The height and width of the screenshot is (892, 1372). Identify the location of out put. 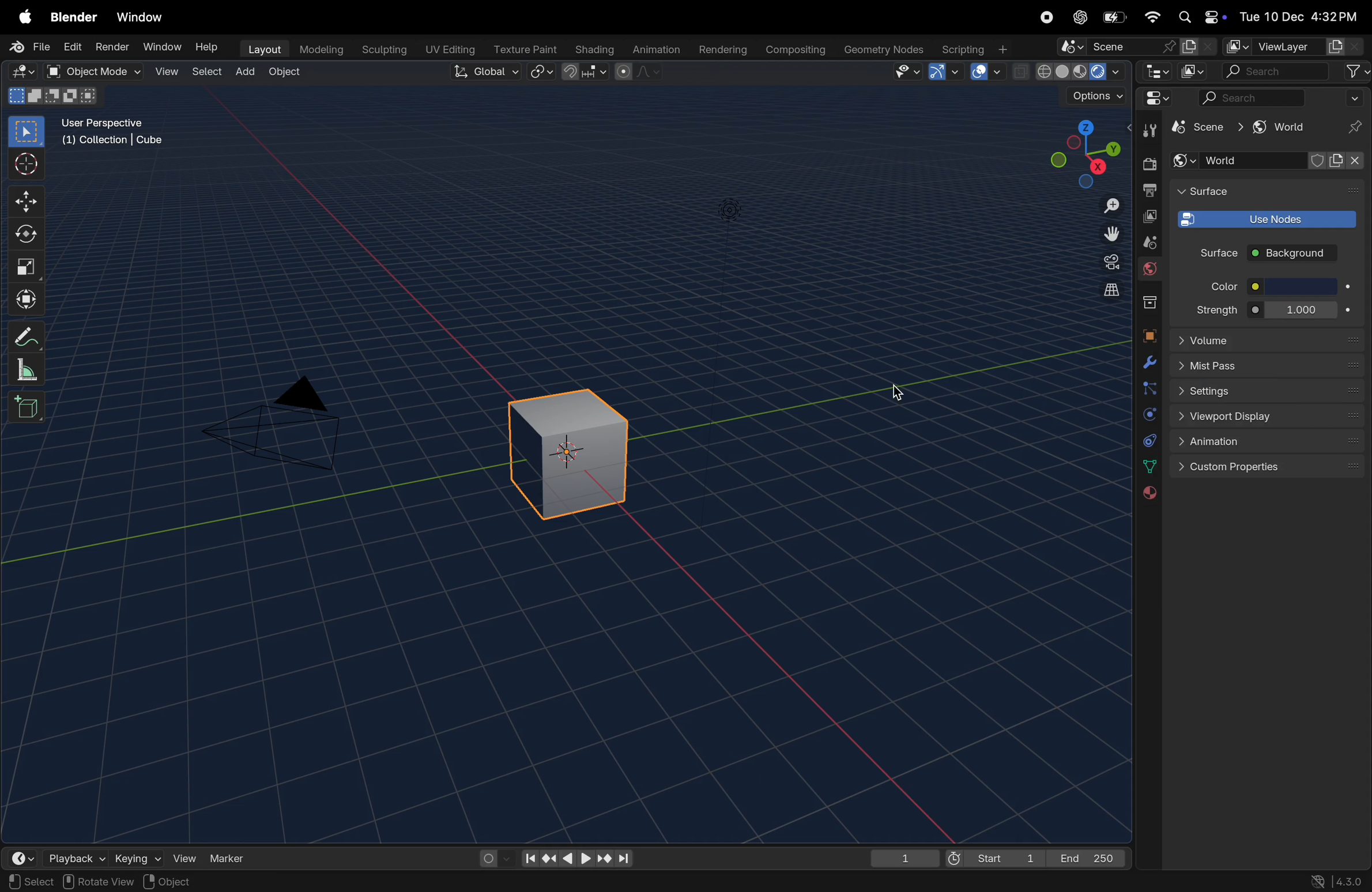
(1148, 216).